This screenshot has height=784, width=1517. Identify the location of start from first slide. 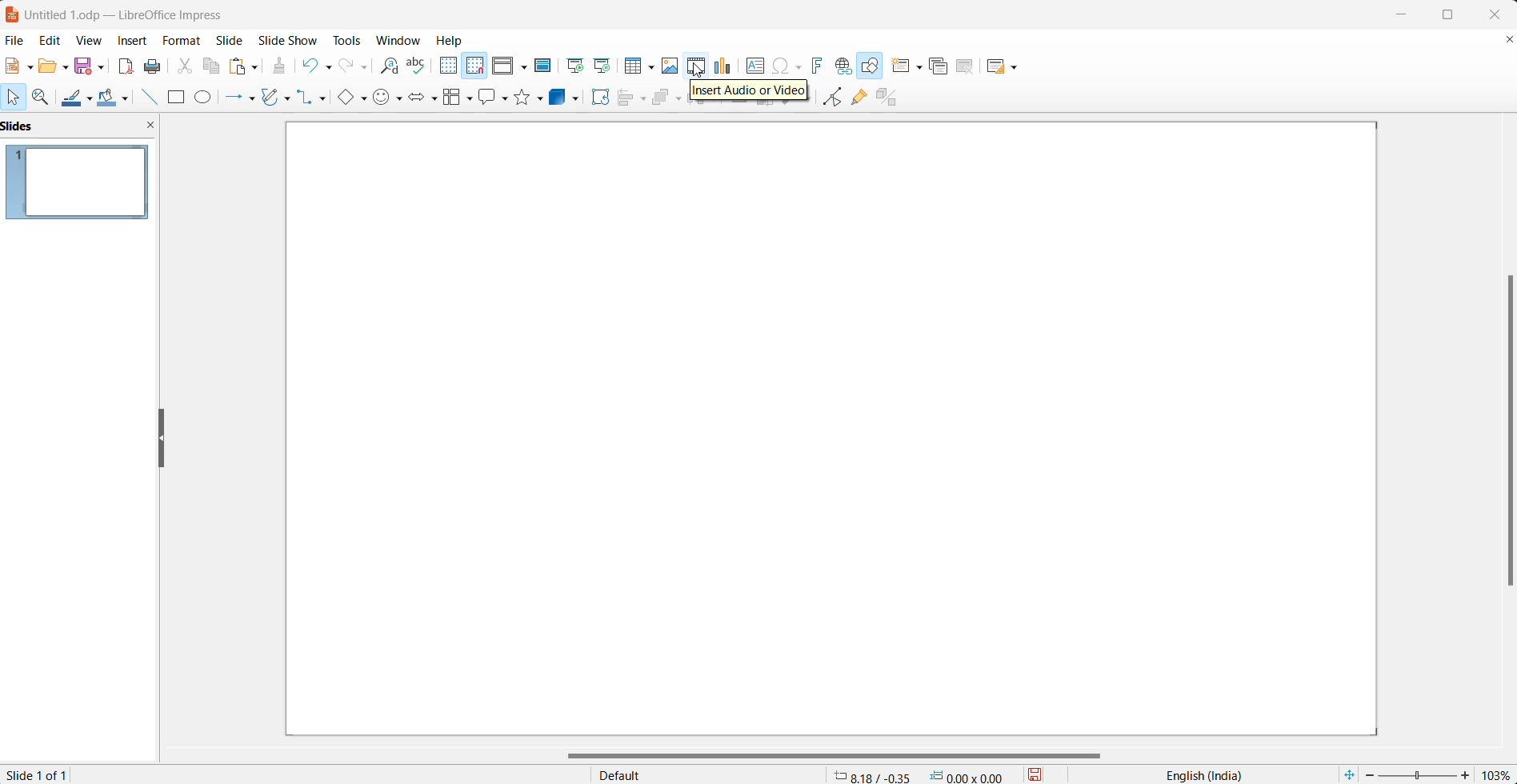
(575, 66).